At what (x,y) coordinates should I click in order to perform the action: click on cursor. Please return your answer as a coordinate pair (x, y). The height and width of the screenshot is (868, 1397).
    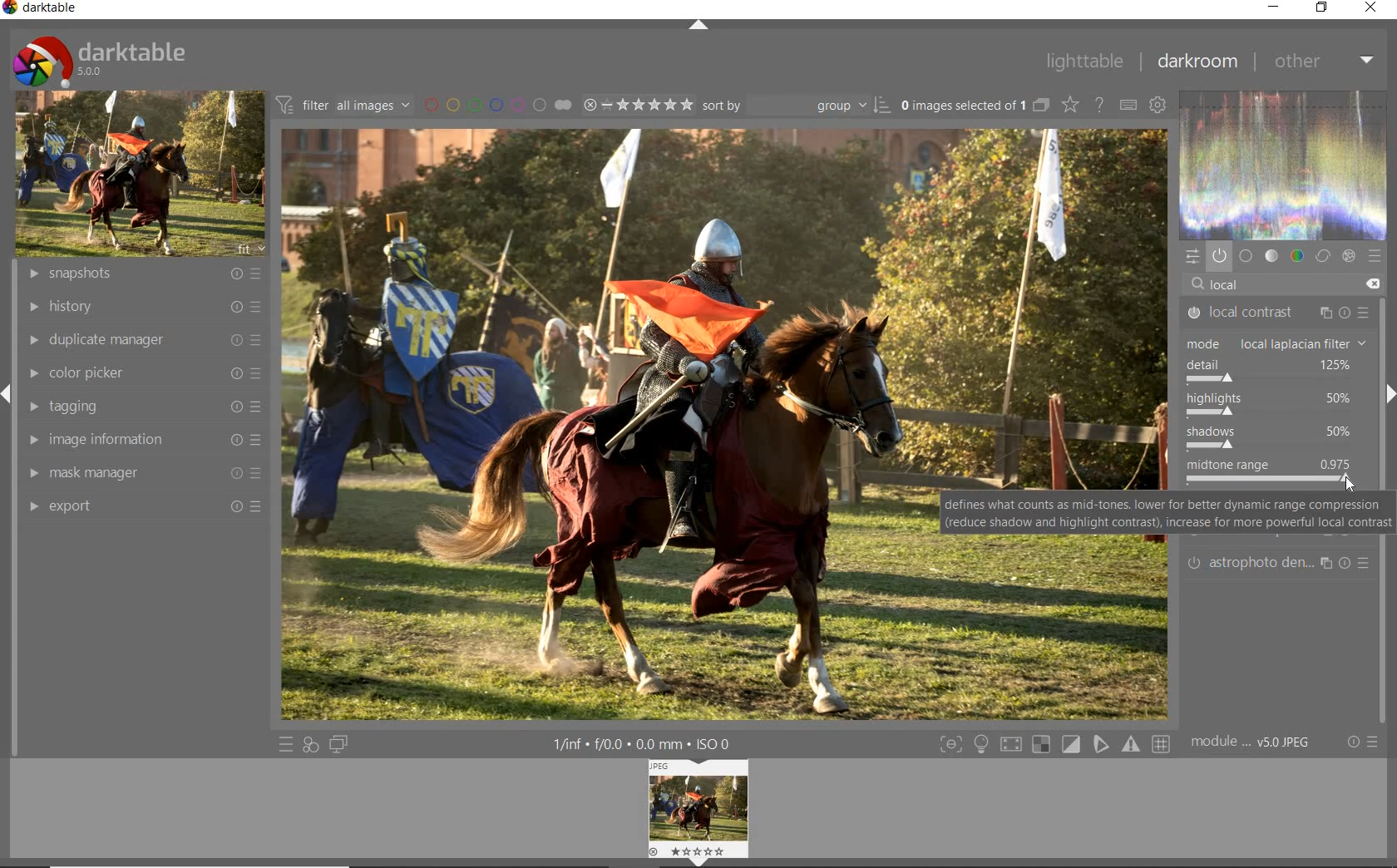
    Looking at the image, I should click on (1355, 485).